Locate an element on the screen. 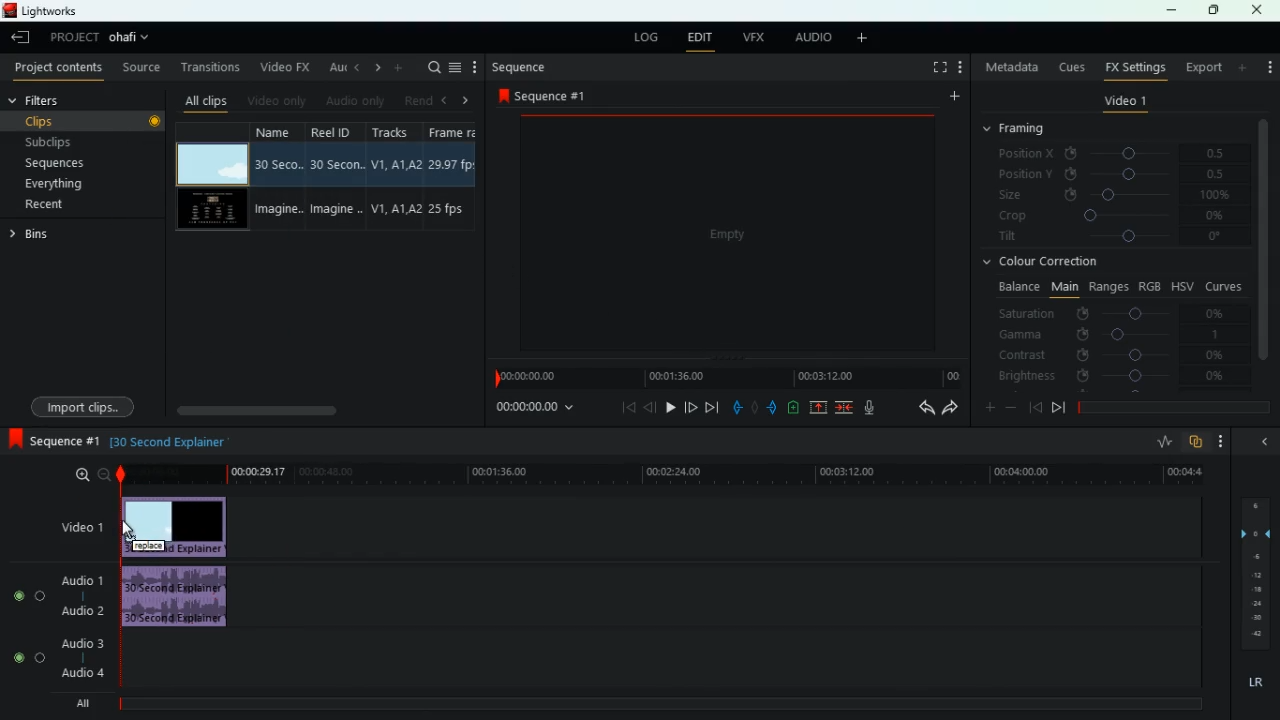  back is located at coordinates (355, 67).